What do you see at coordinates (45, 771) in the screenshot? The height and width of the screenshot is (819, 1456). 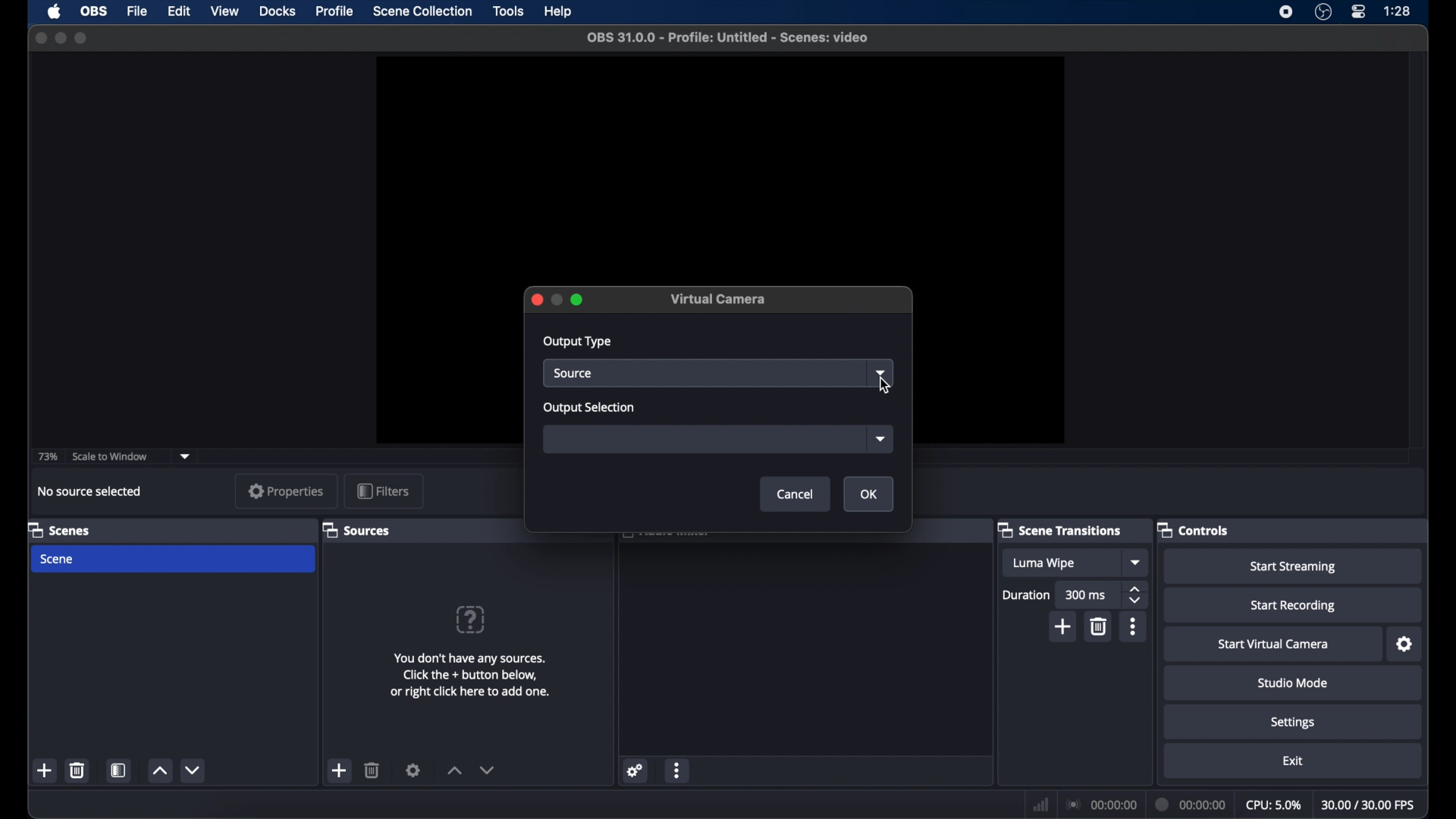 I see `add` at bounding box center [45, 771].